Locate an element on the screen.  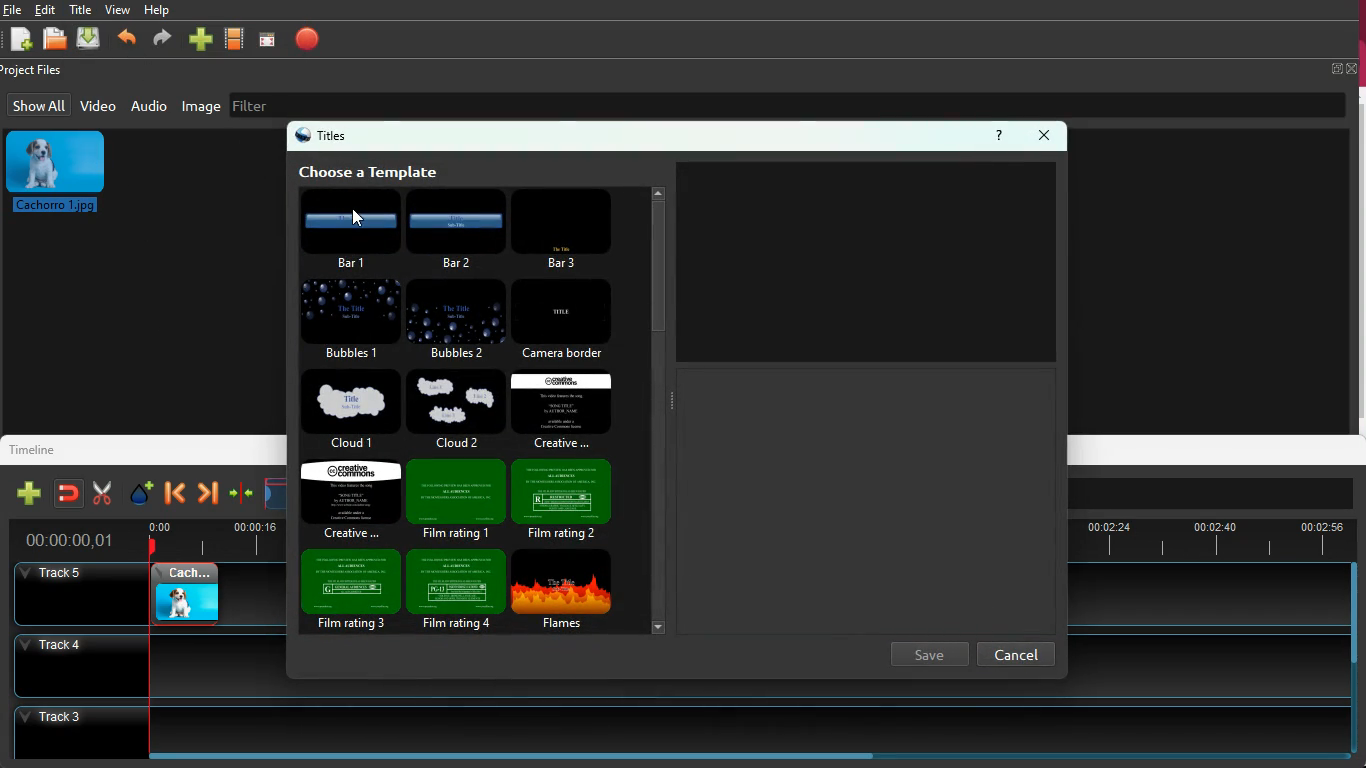
help is located at coordinates (1001, 134).